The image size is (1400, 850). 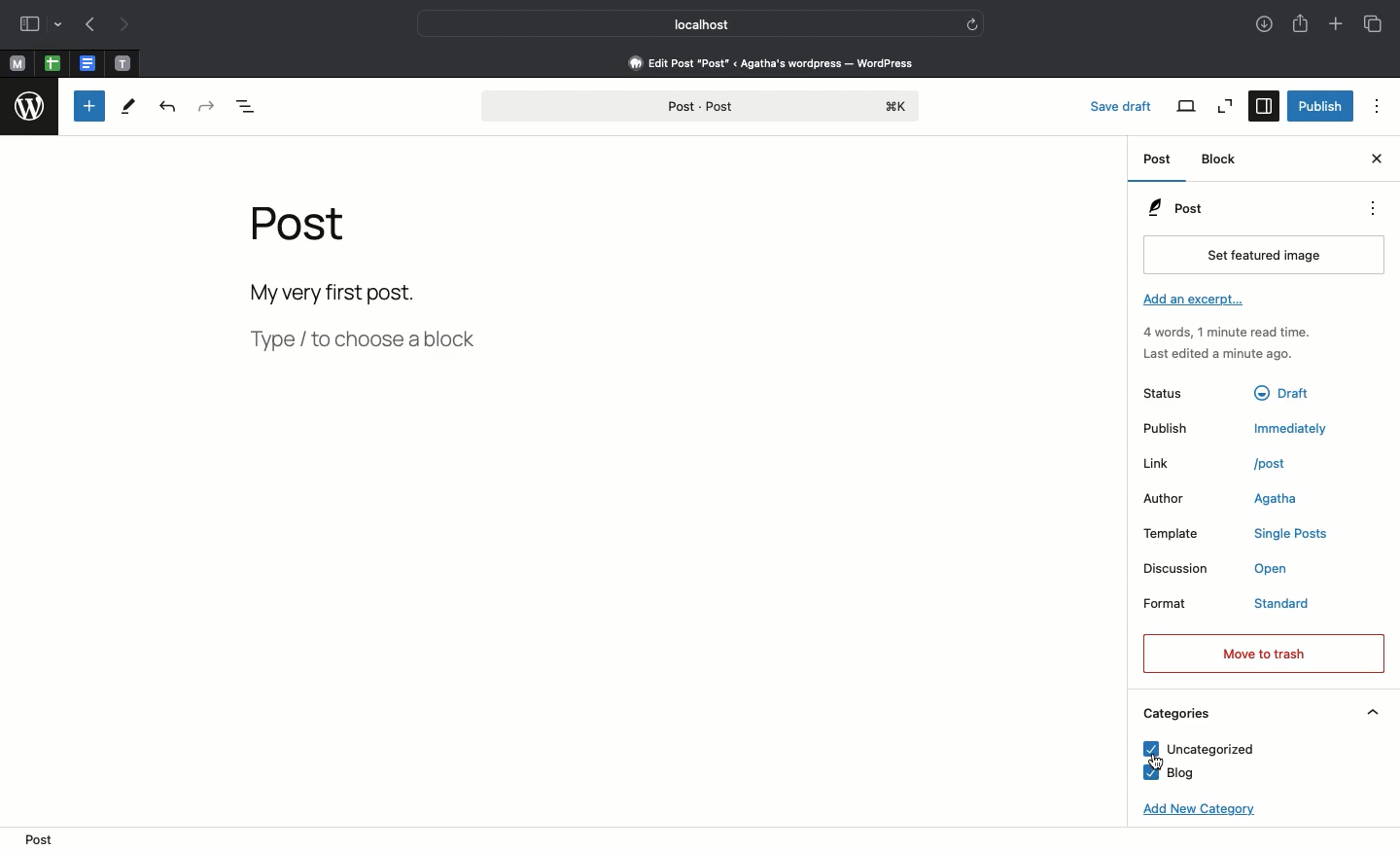 I want to click on Post, so click(x=306, y=233).